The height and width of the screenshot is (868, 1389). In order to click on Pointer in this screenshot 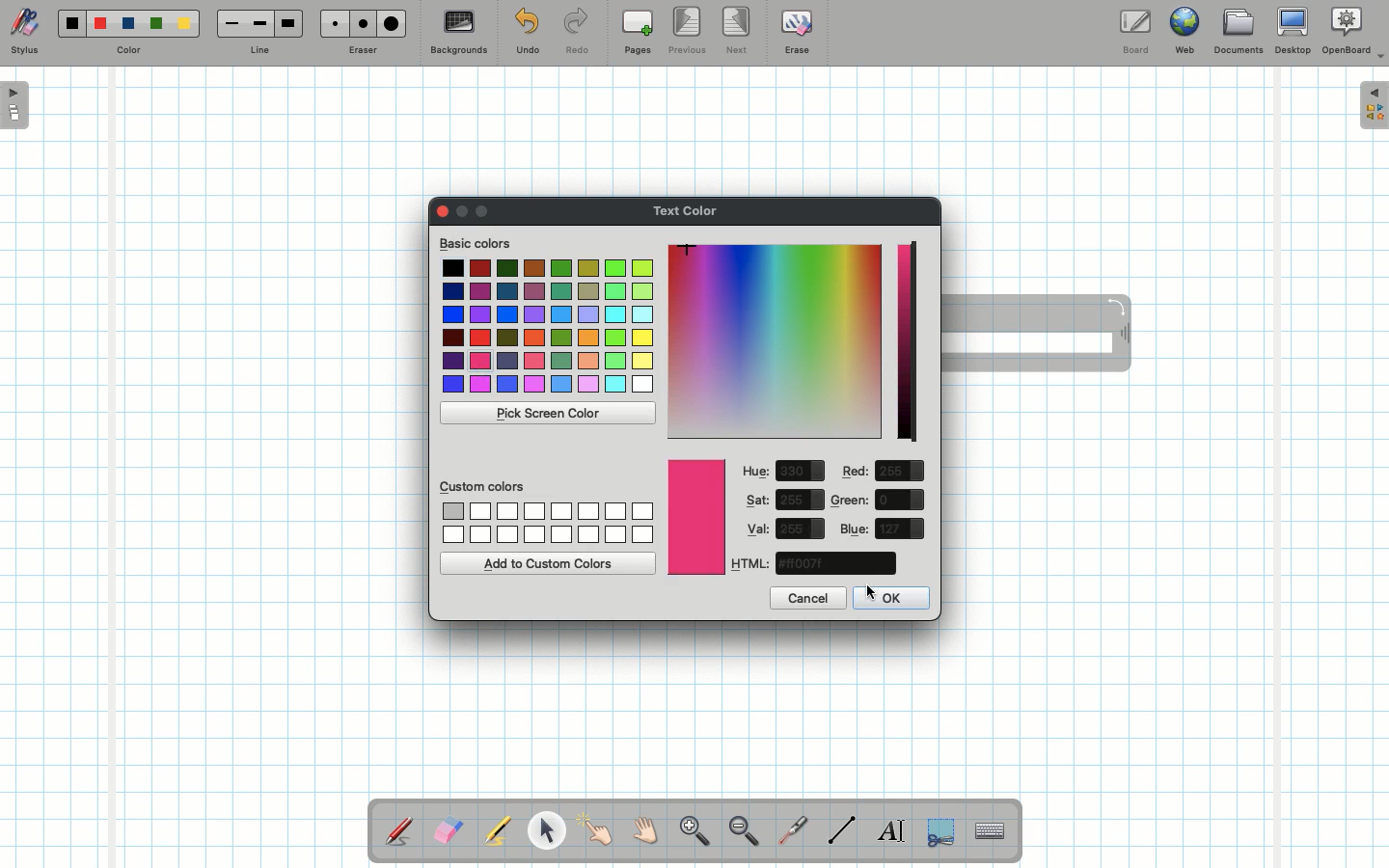, I will do `click(596, 830)`.